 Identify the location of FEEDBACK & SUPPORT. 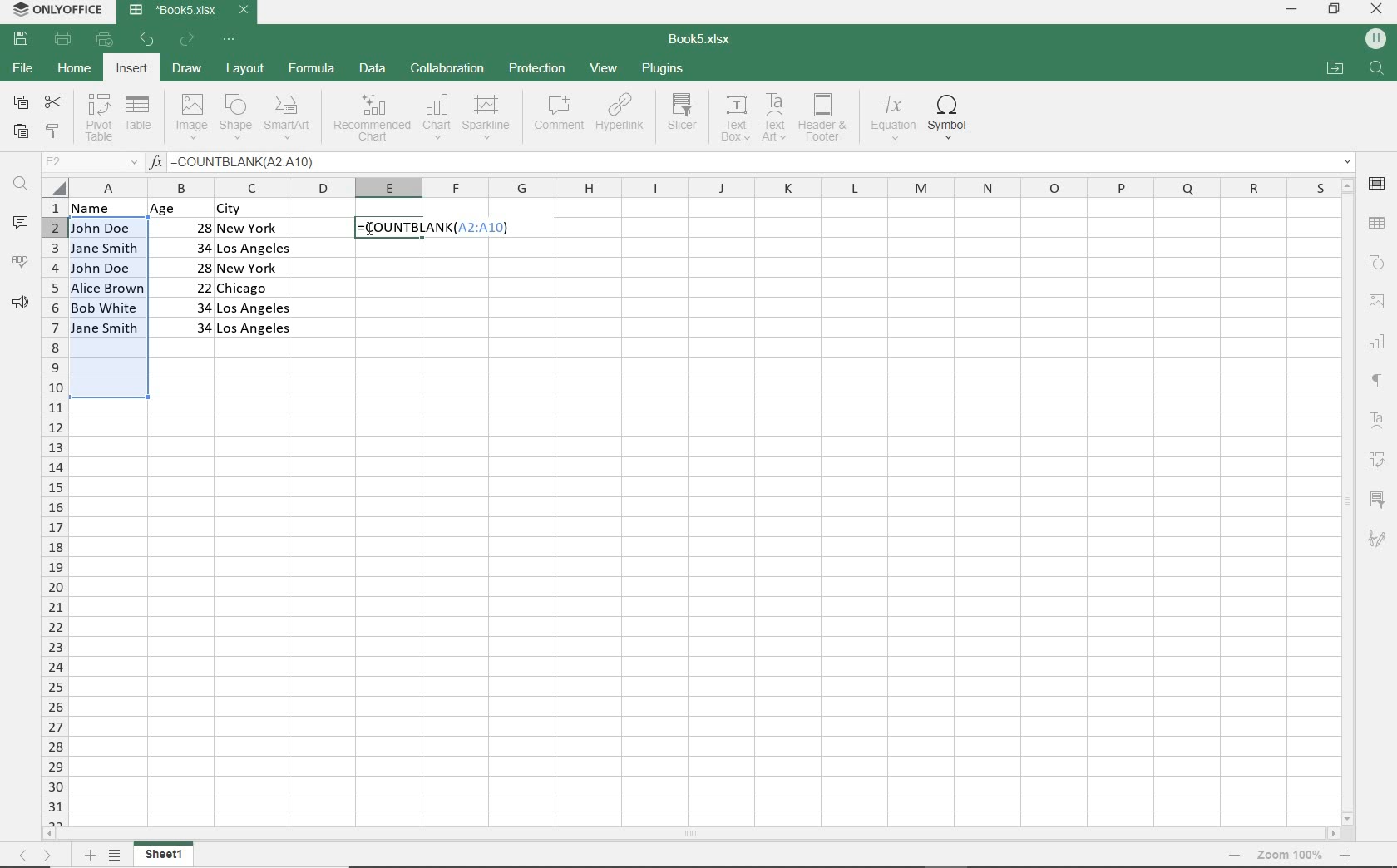
(20, 303).